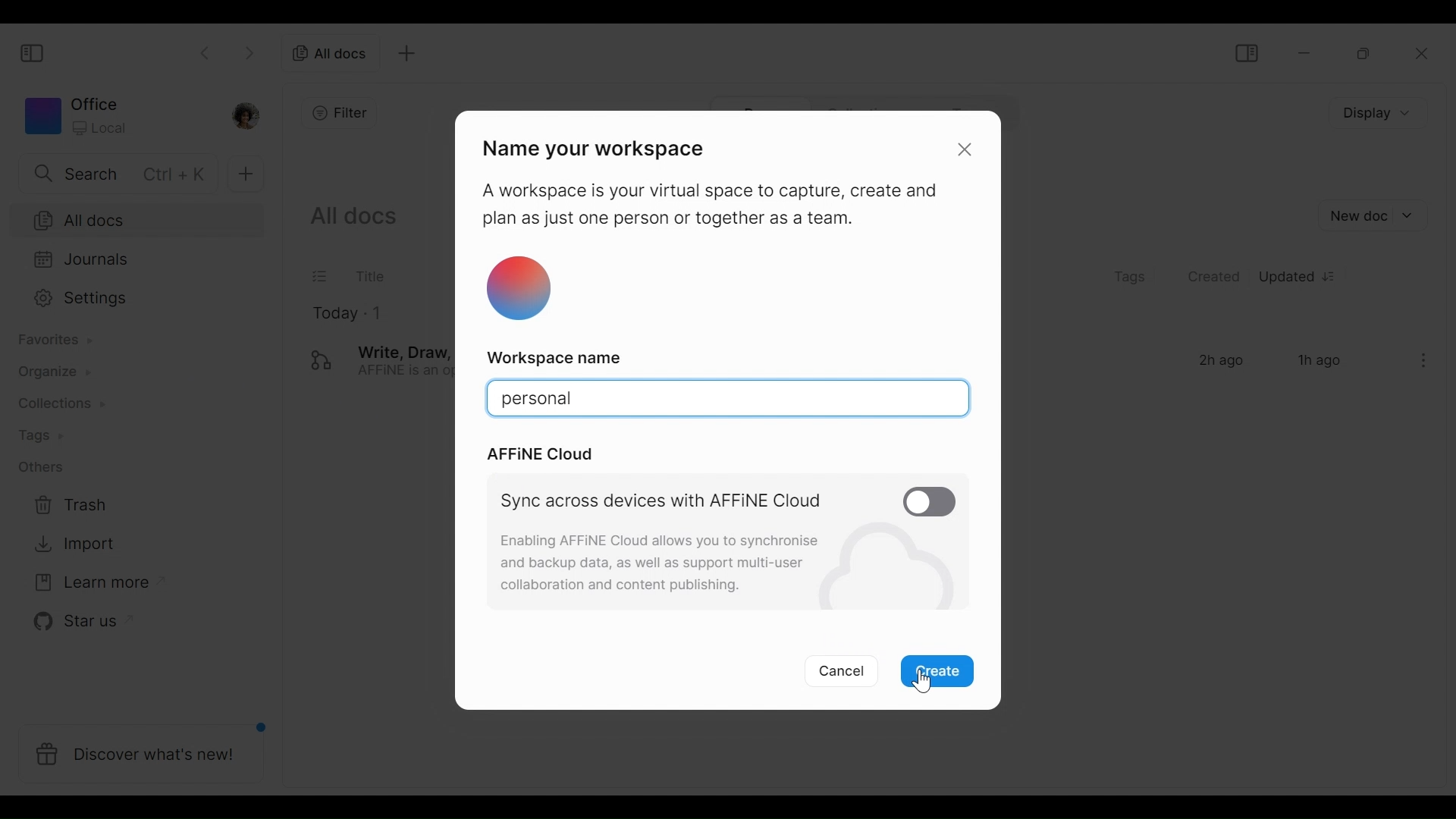 The height and width of the screenshot is (819, 1456). Describe the element at coordinates (113, 174) in the screenshot. I see `Search bar` at that location.